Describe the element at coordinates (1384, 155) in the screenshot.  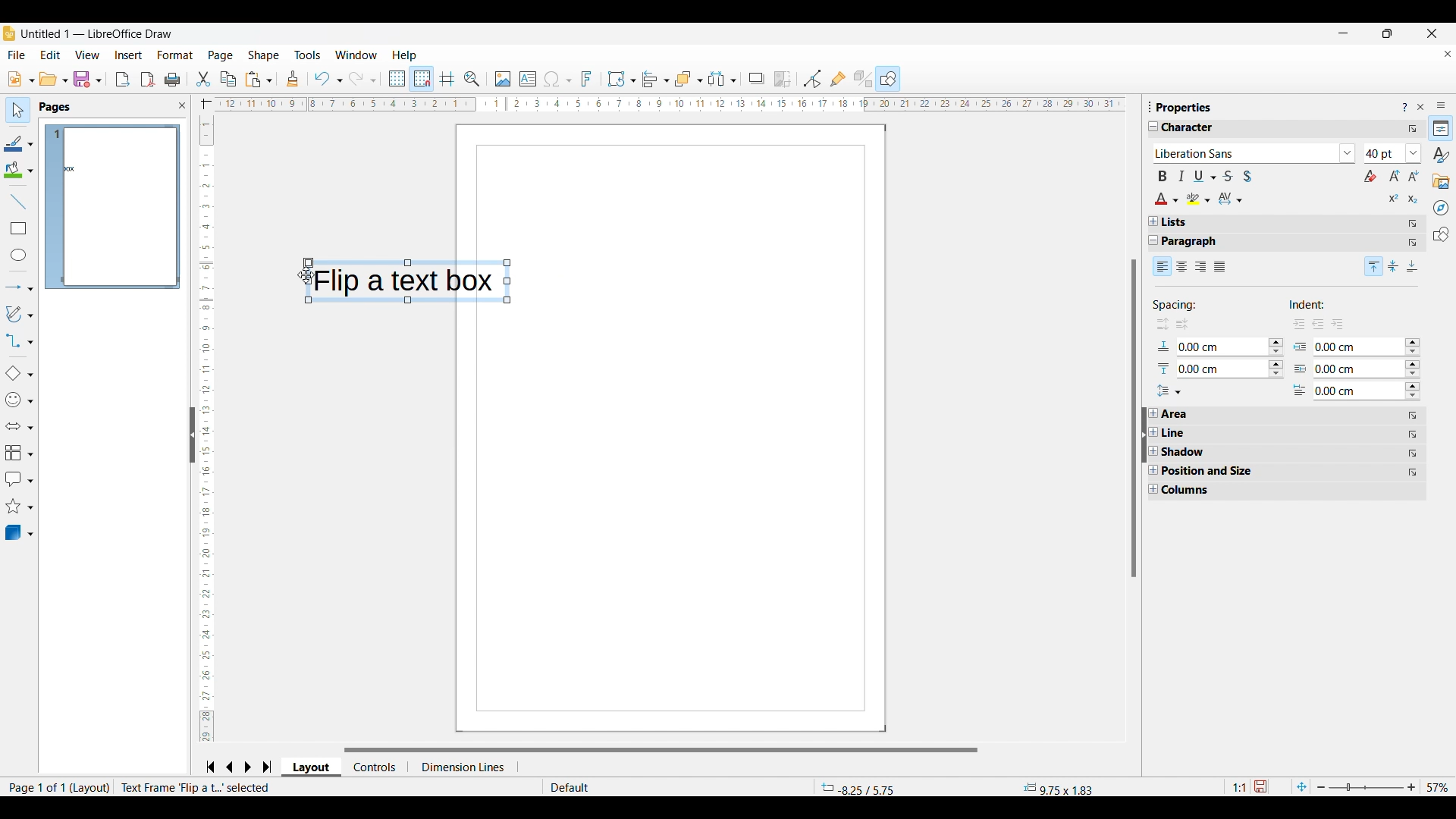
I see `Type in character sizes` at that location.